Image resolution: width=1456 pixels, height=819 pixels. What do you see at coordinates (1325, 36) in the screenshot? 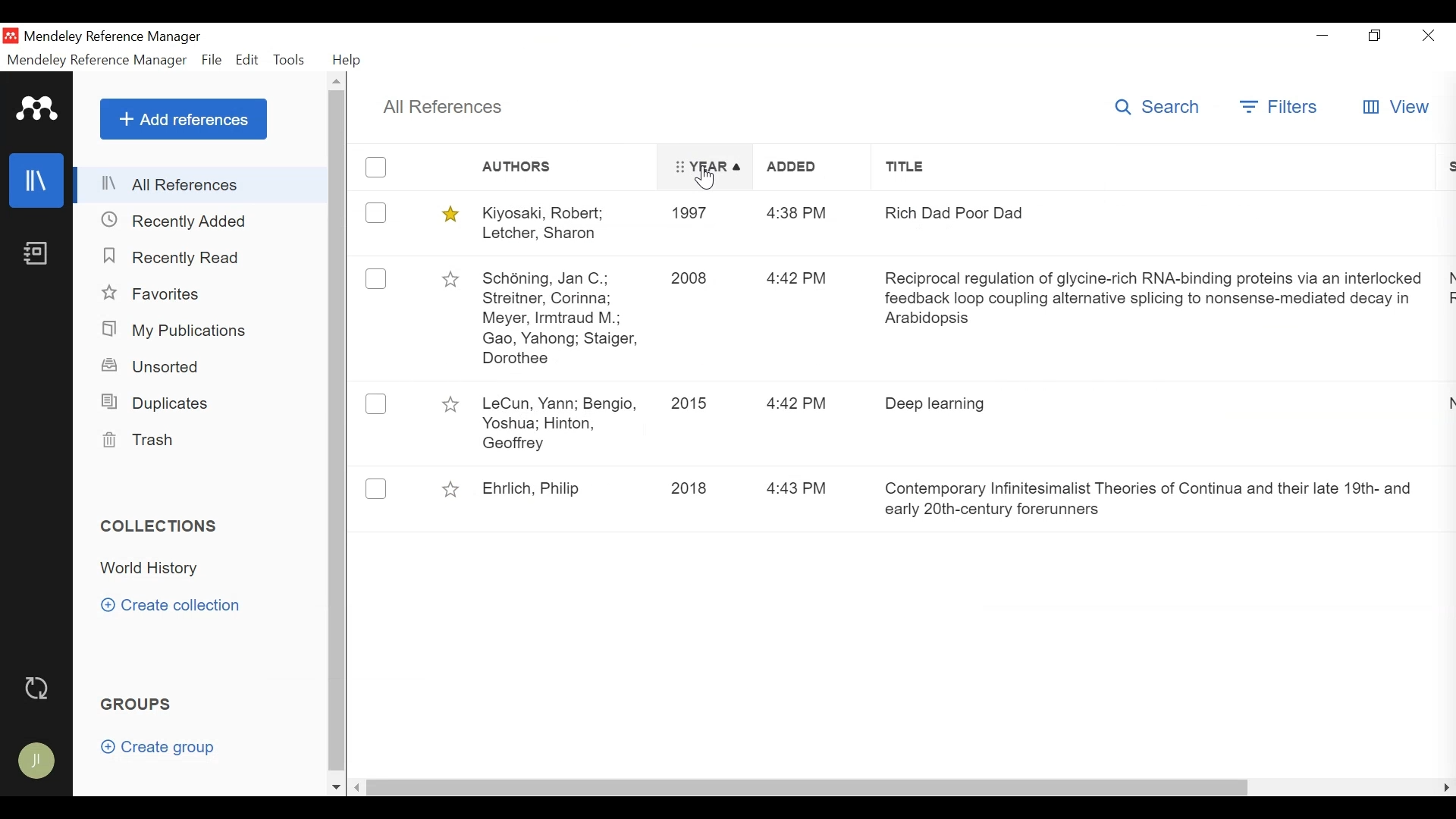
I see `minimize` at bounding box center [1325, 36].